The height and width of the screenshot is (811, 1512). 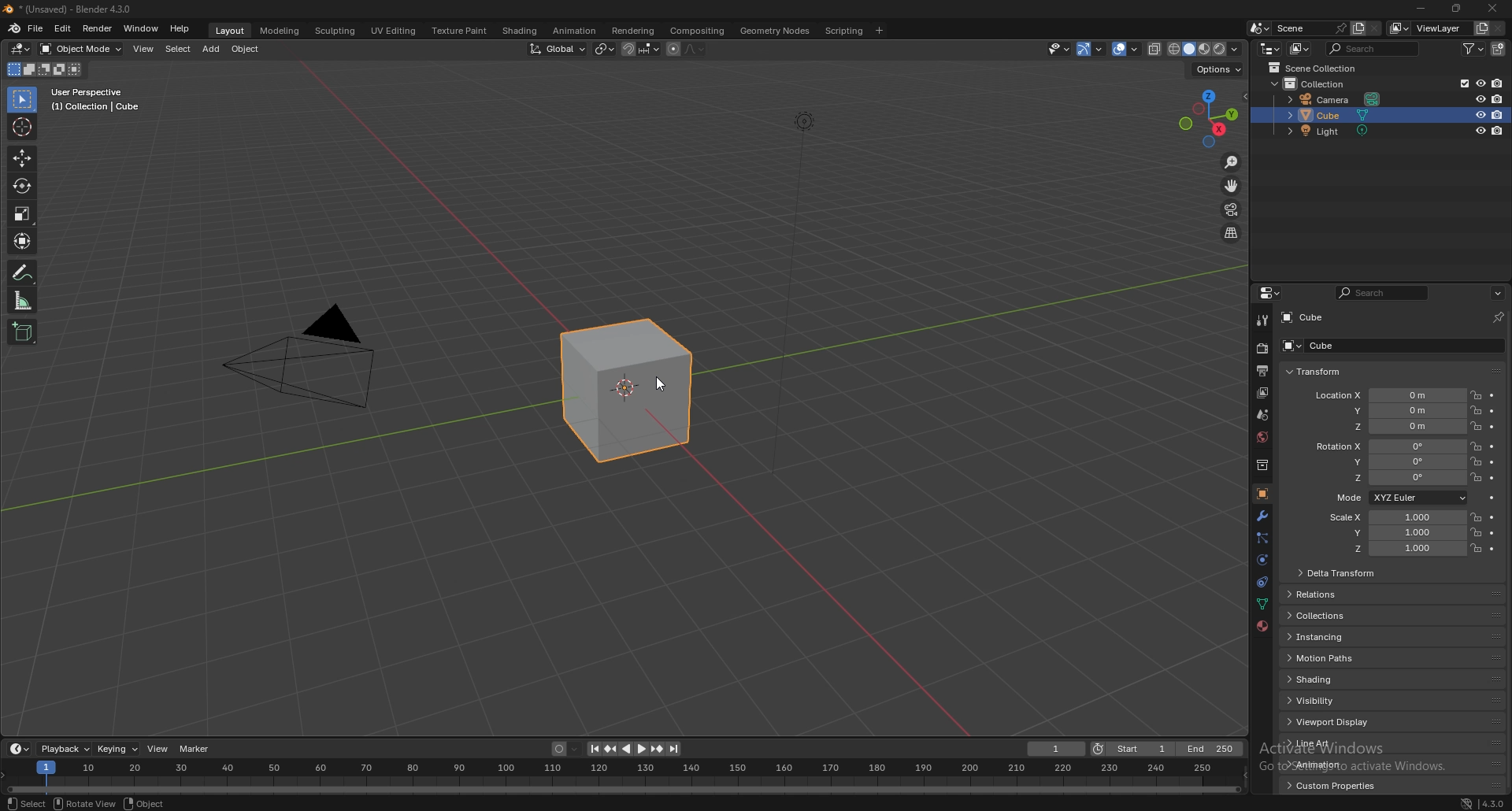 What do you see at coordinates (1204, 49) in the screenshot?
I see `viewport shading` at bounding box center [1204, 49].